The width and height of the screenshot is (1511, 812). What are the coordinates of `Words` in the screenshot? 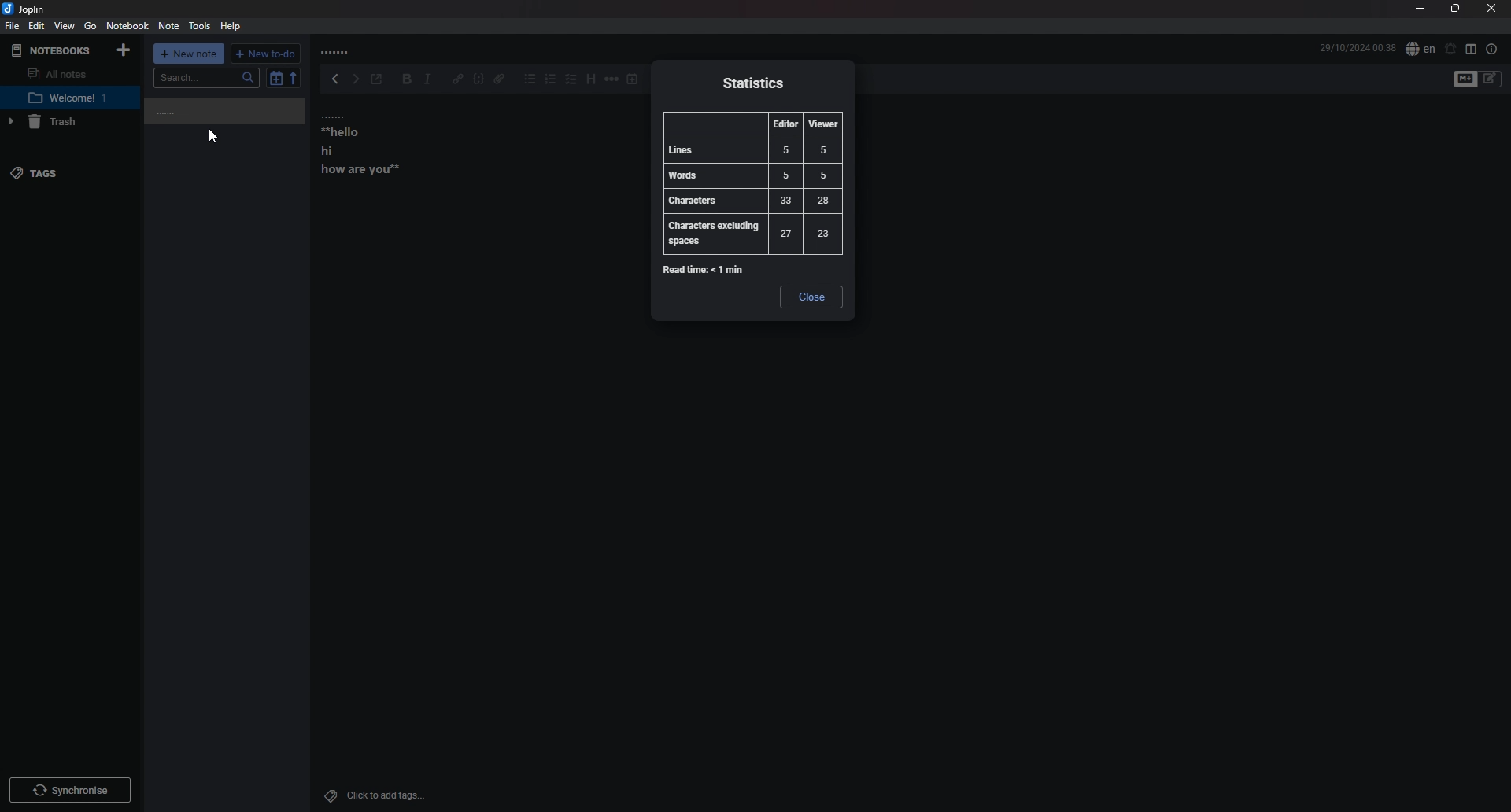 It's located at (751, 175).